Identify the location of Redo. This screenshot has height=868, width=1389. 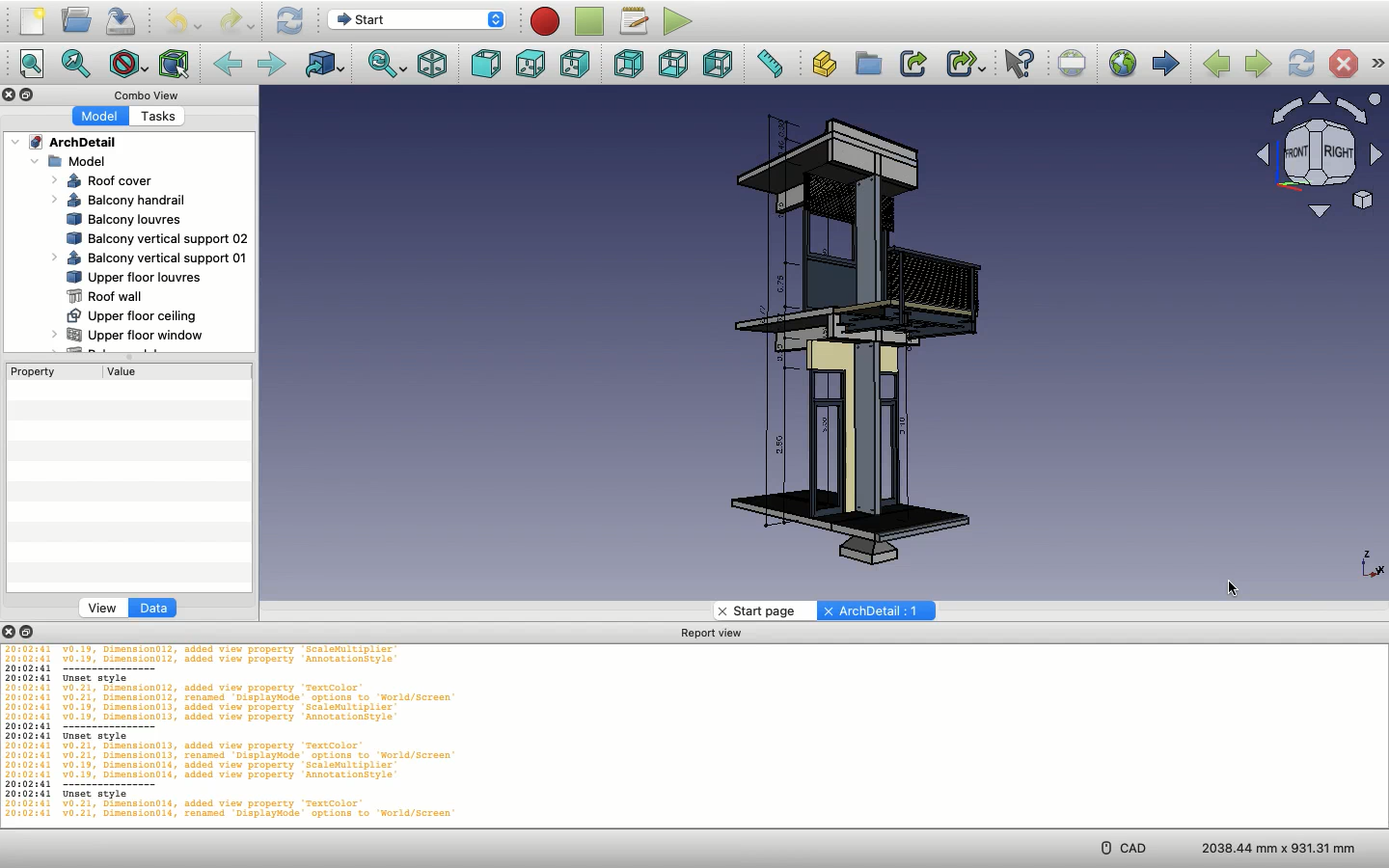
(238, 23).